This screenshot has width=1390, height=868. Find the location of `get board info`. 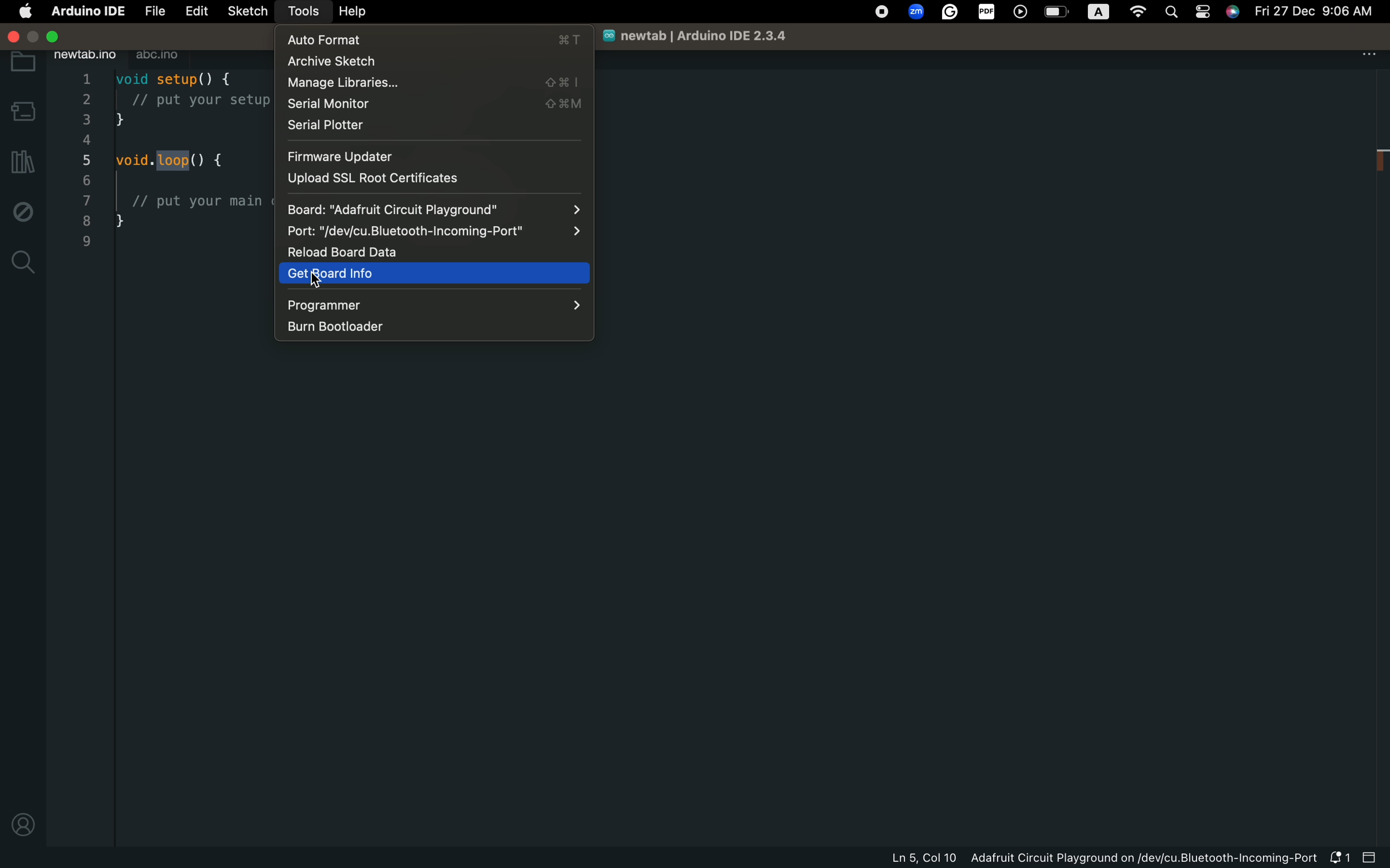

get board info is located at coordinates (435, 274).